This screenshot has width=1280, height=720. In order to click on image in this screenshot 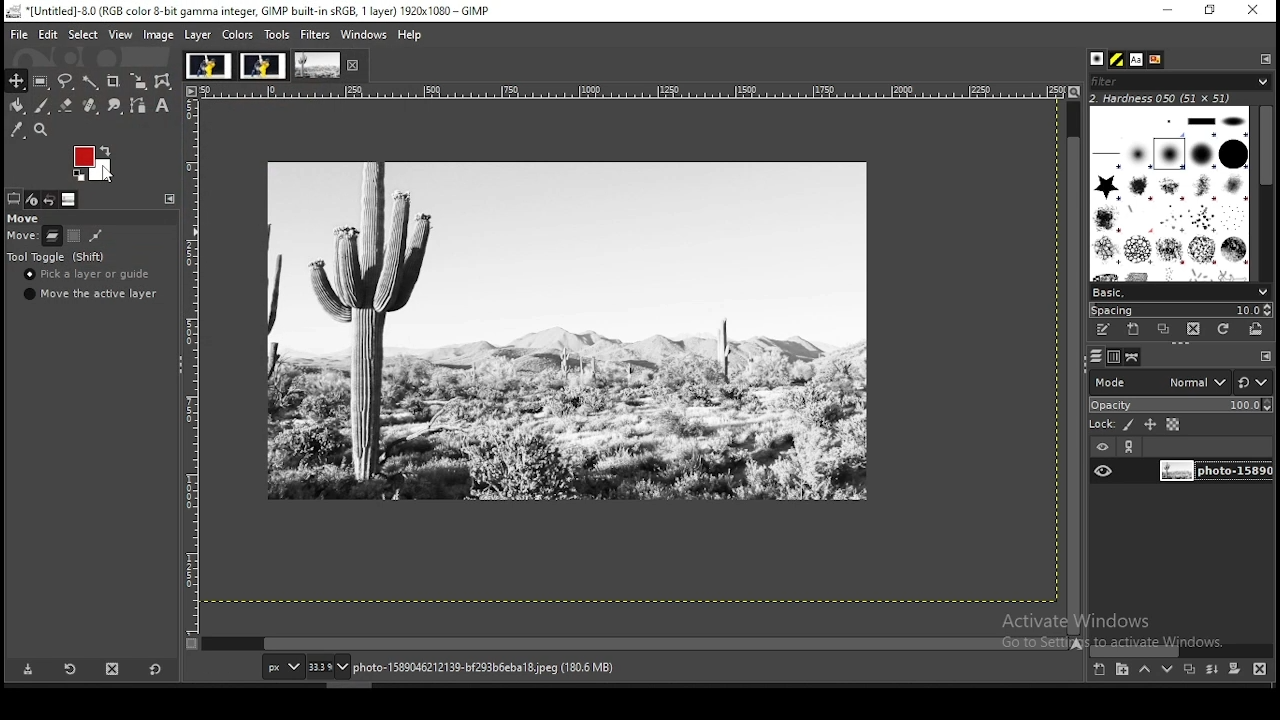, I will do `click(317, 65)`.